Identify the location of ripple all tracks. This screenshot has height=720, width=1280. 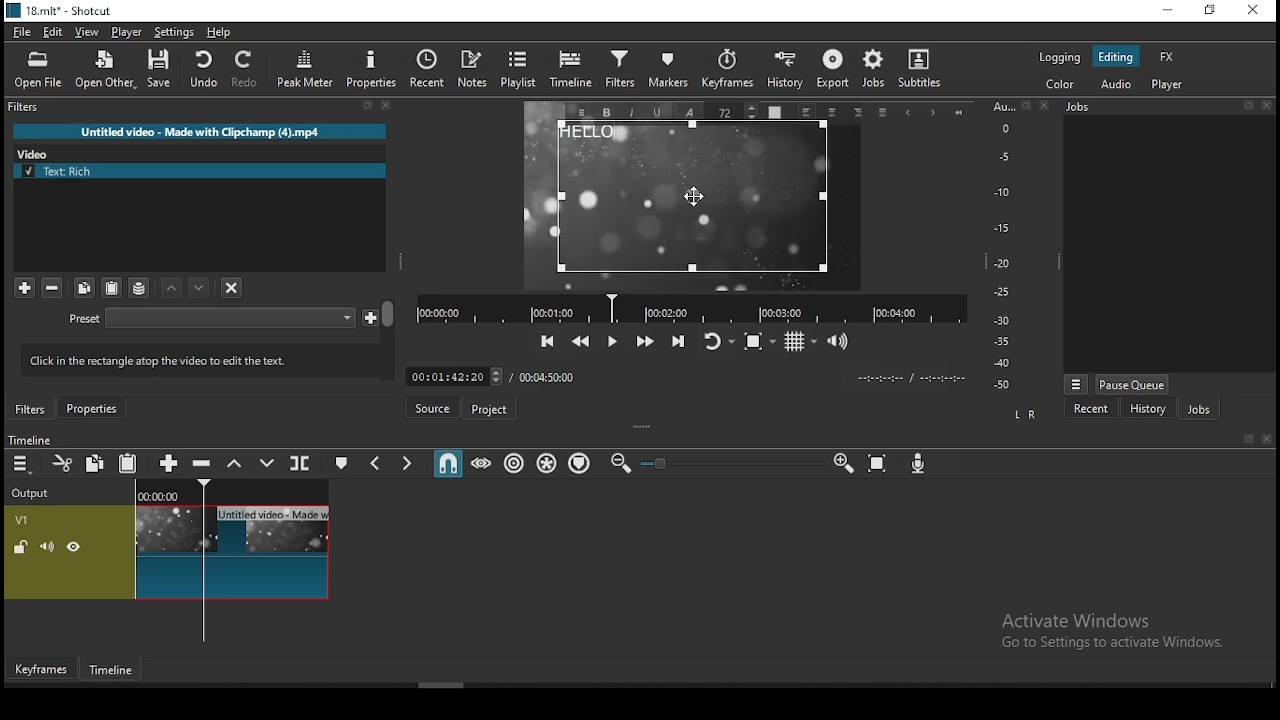
(547, 463).